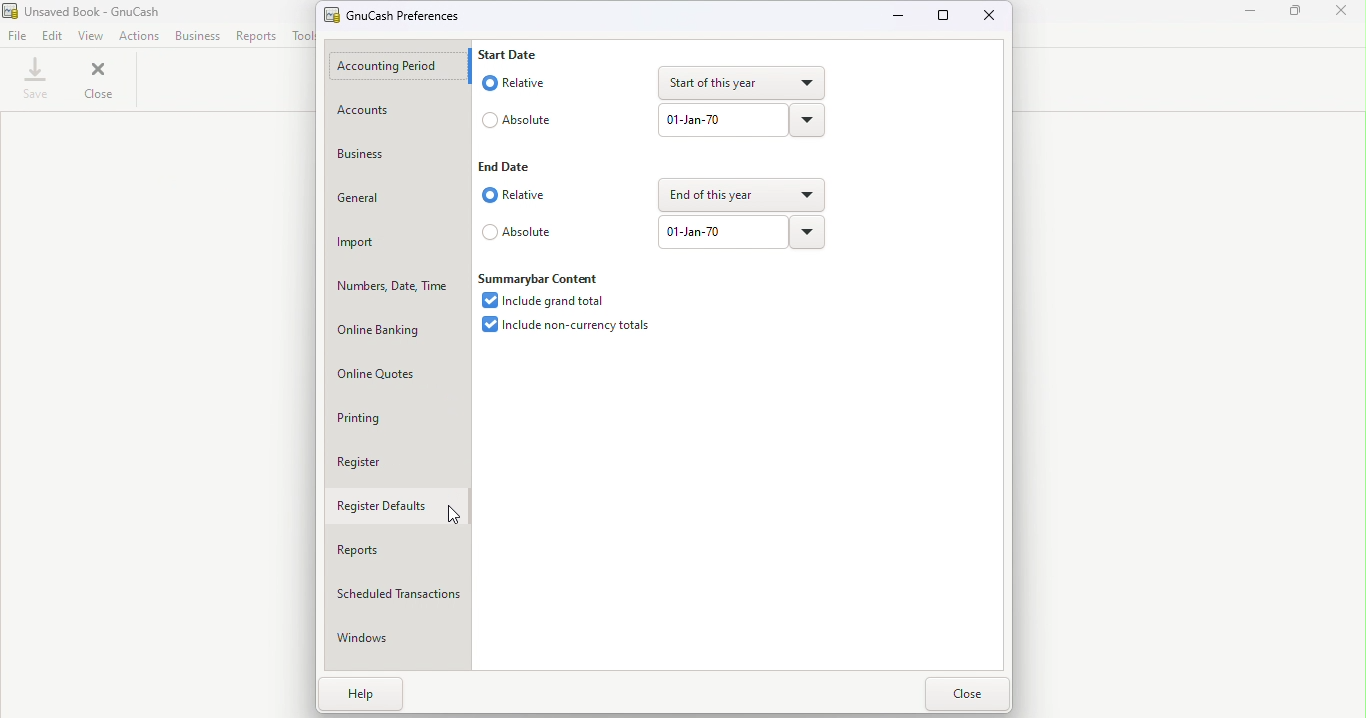 The image size is (1366, 718). I want to click on Save, so click(32, 84).